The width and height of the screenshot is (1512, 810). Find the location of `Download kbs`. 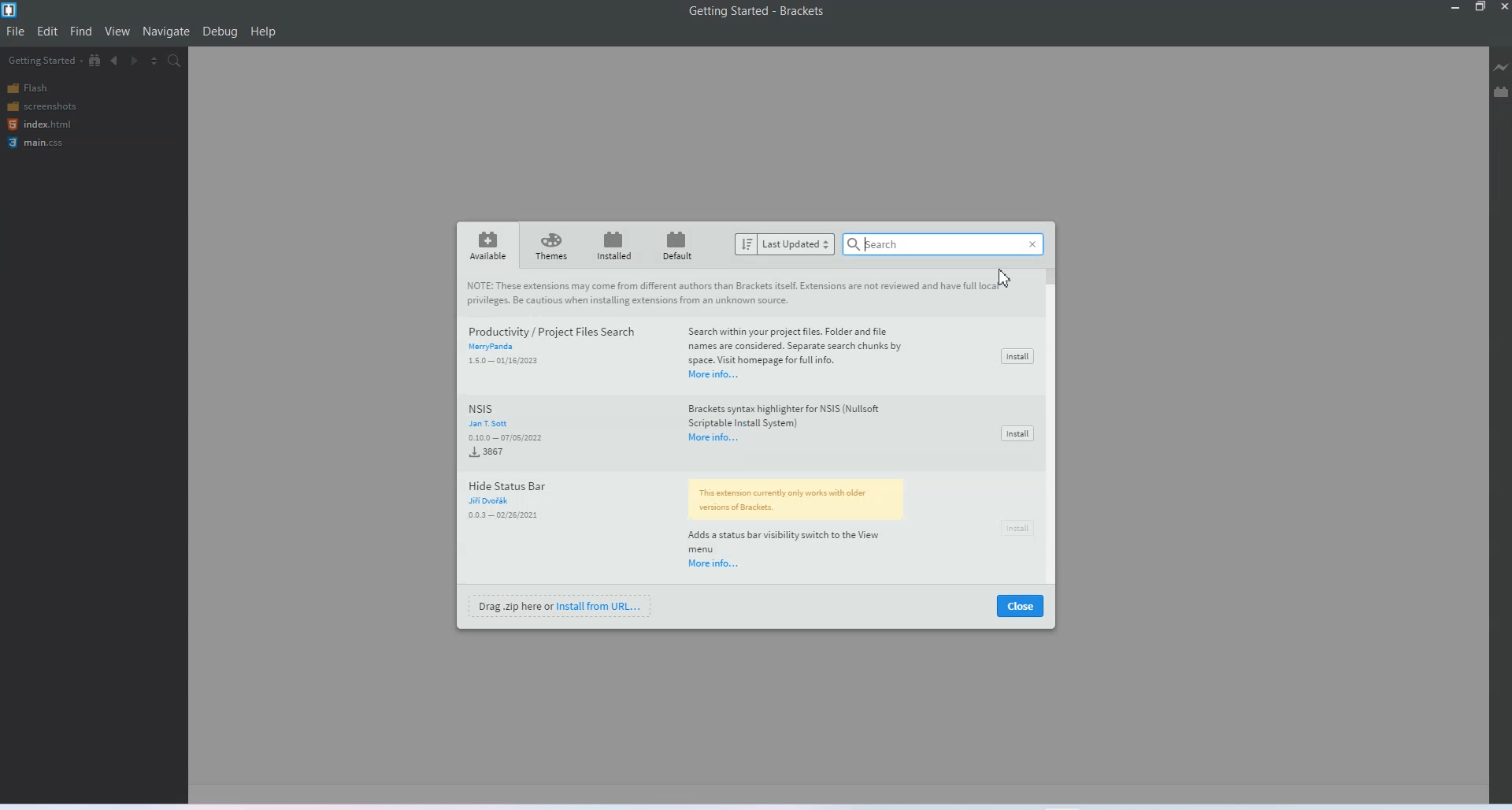

Download kbs is located at coordinates (502, 362).